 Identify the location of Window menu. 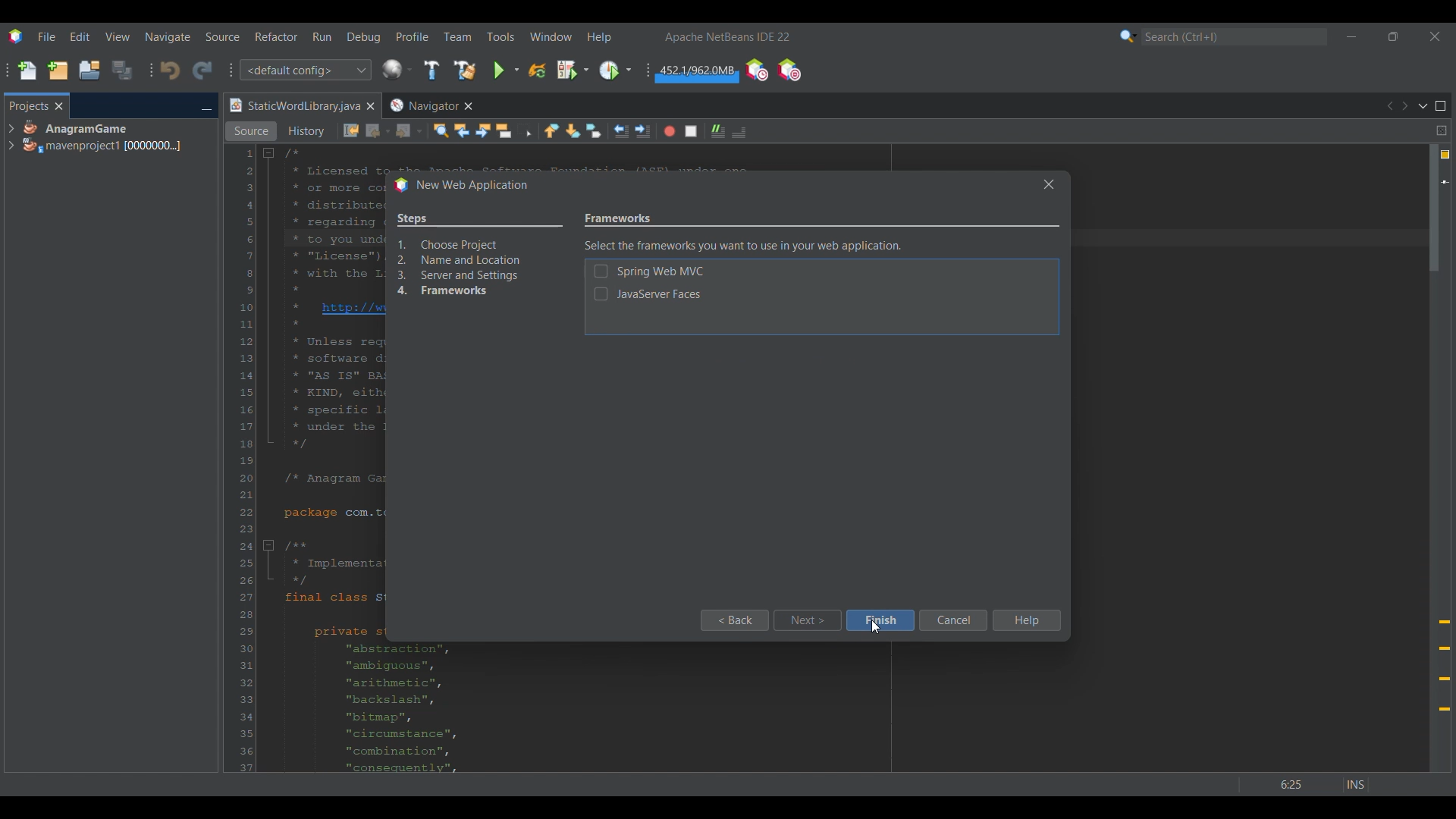
(551, 36).